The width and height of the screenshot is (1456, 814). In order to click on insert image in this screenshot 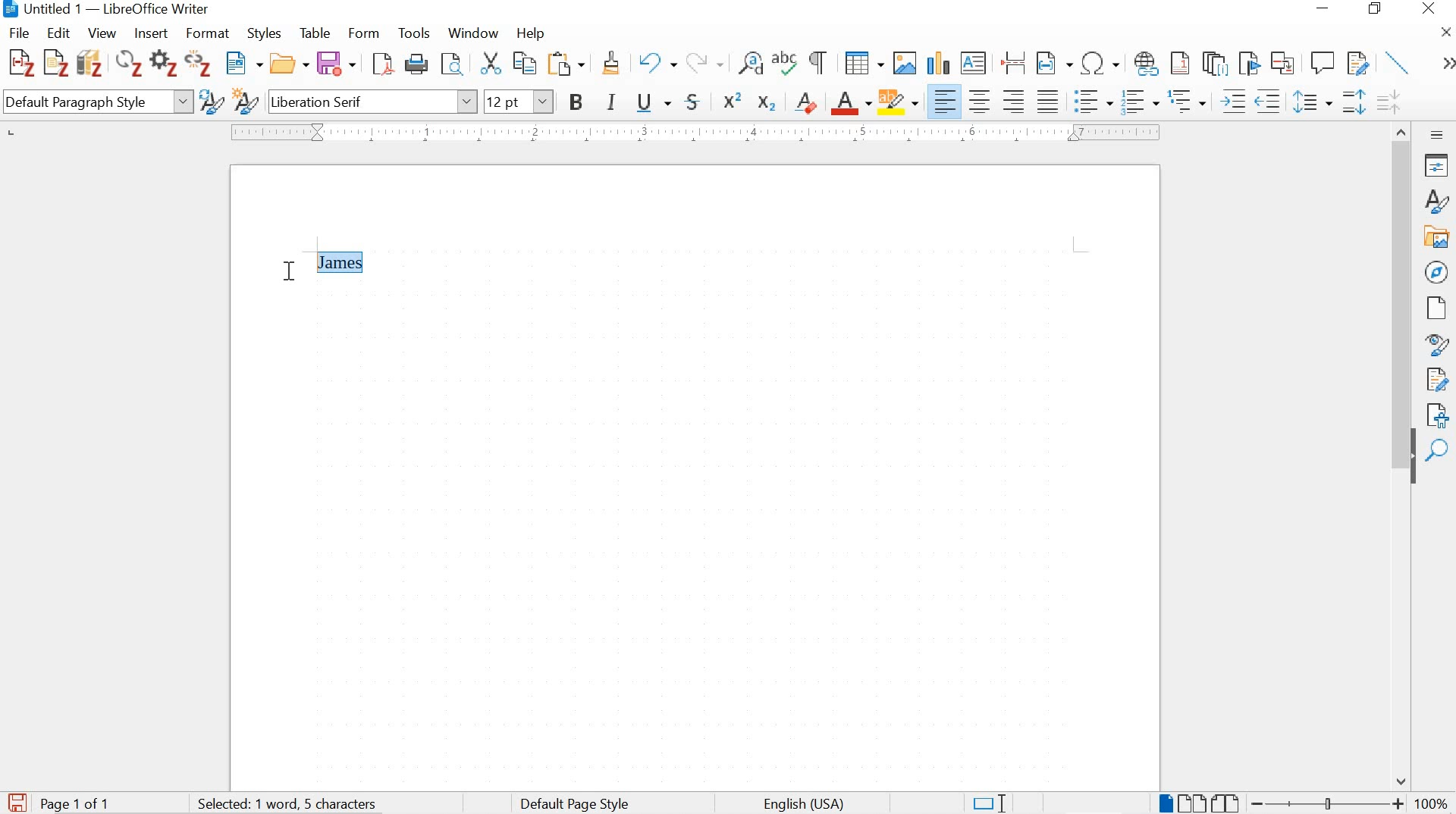, I will do `click(904, 62)`.